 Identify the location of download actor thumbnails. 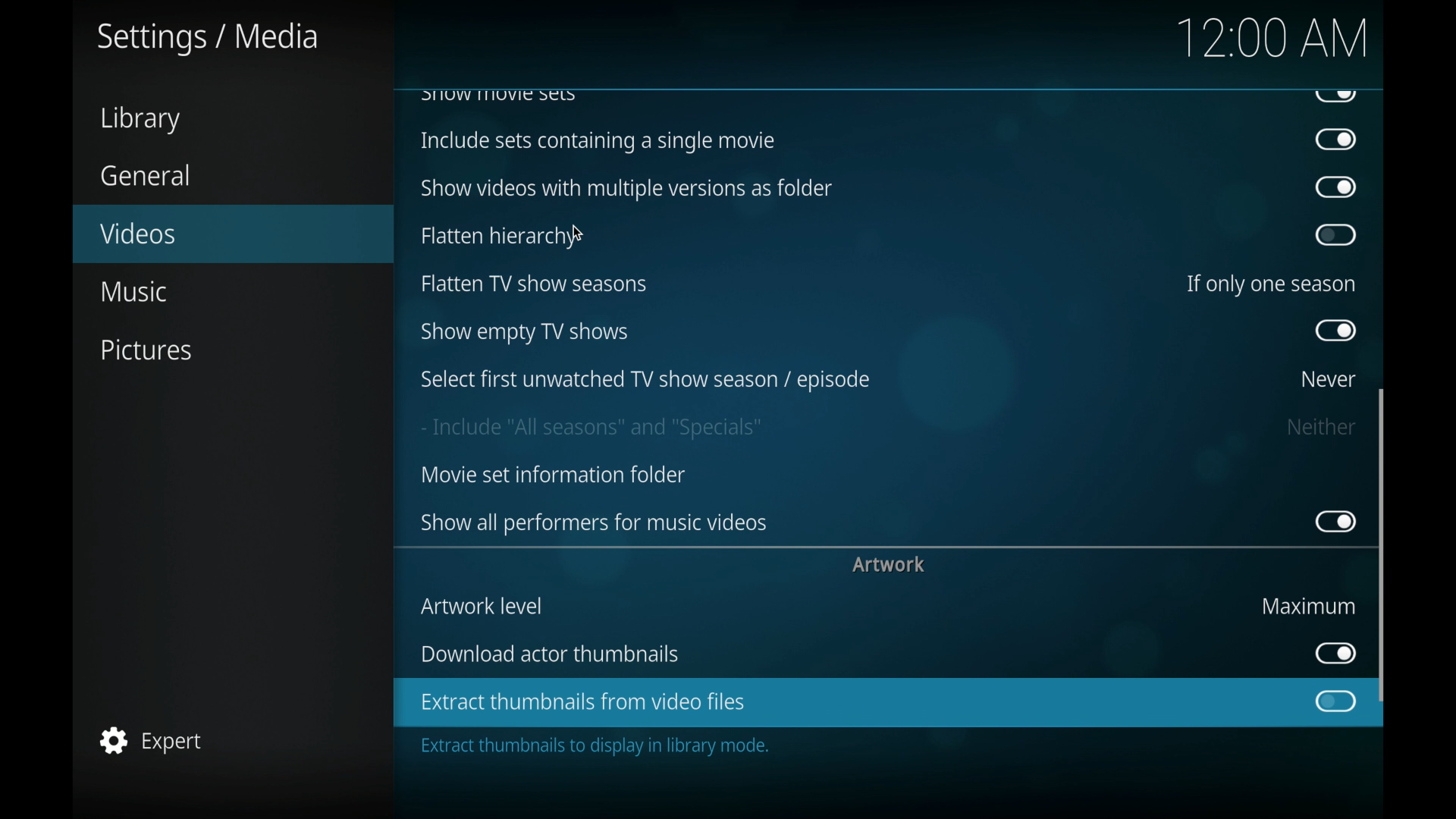
(550, 654).